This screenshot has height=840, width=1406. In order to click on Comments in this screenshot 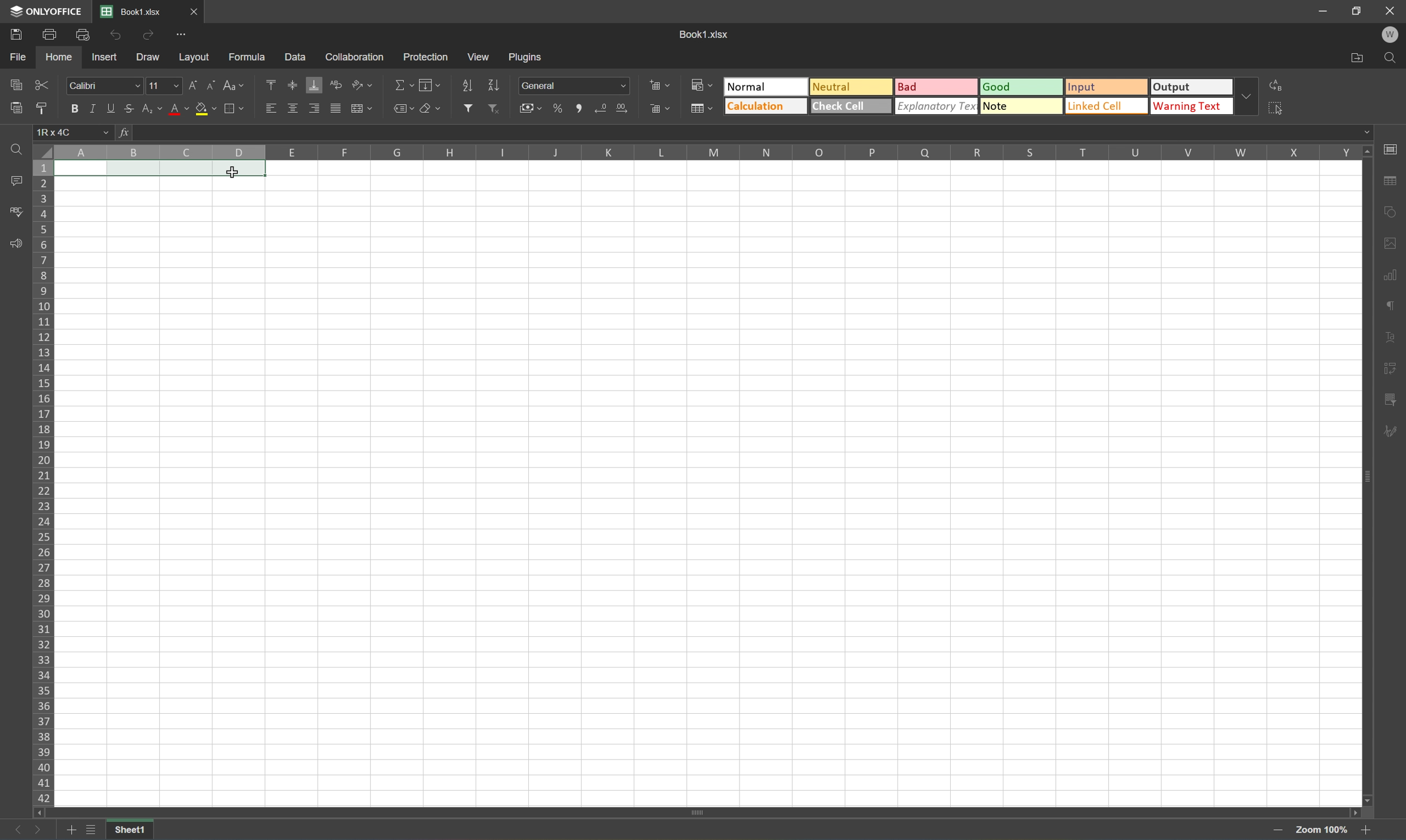, I will do `click(16, 180)`.